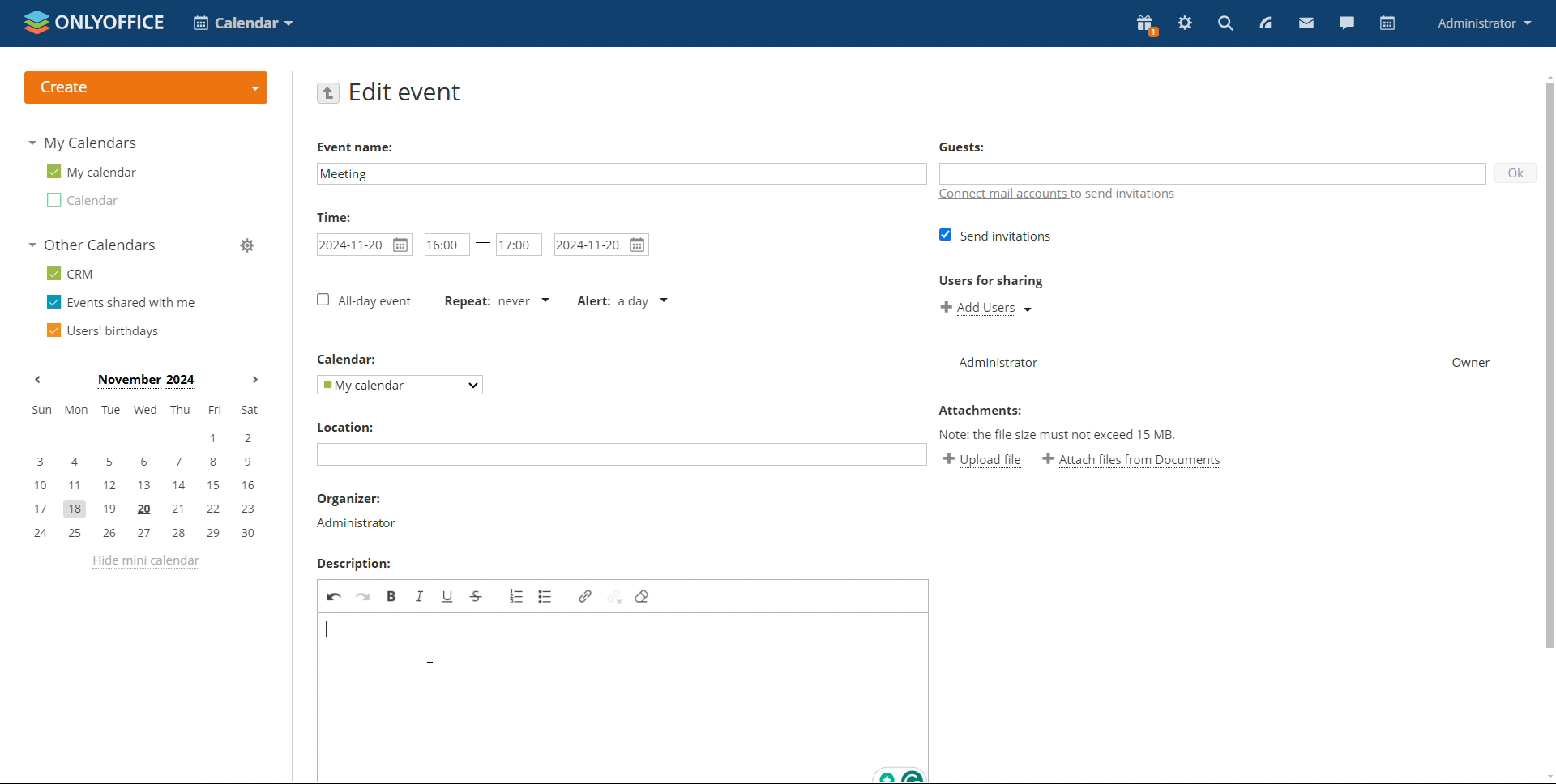 The width and height of the screenshot is (1556, 784). Describe the element at coordinates (394, 595) in the screenshot. I see `bold` at that location.